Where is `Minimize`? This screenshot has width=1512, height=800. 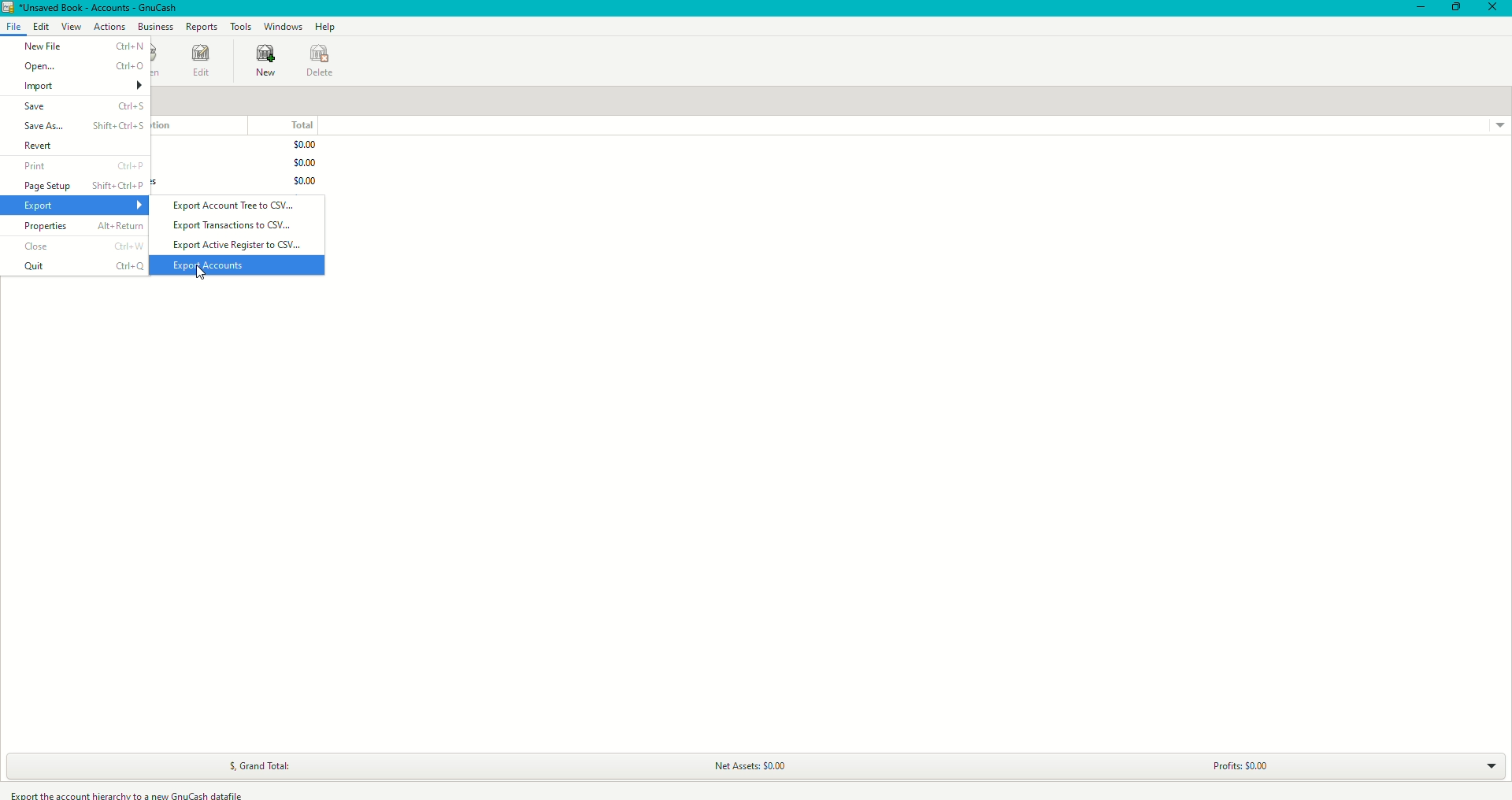 Minimize is located at coordinates (1421, 9).